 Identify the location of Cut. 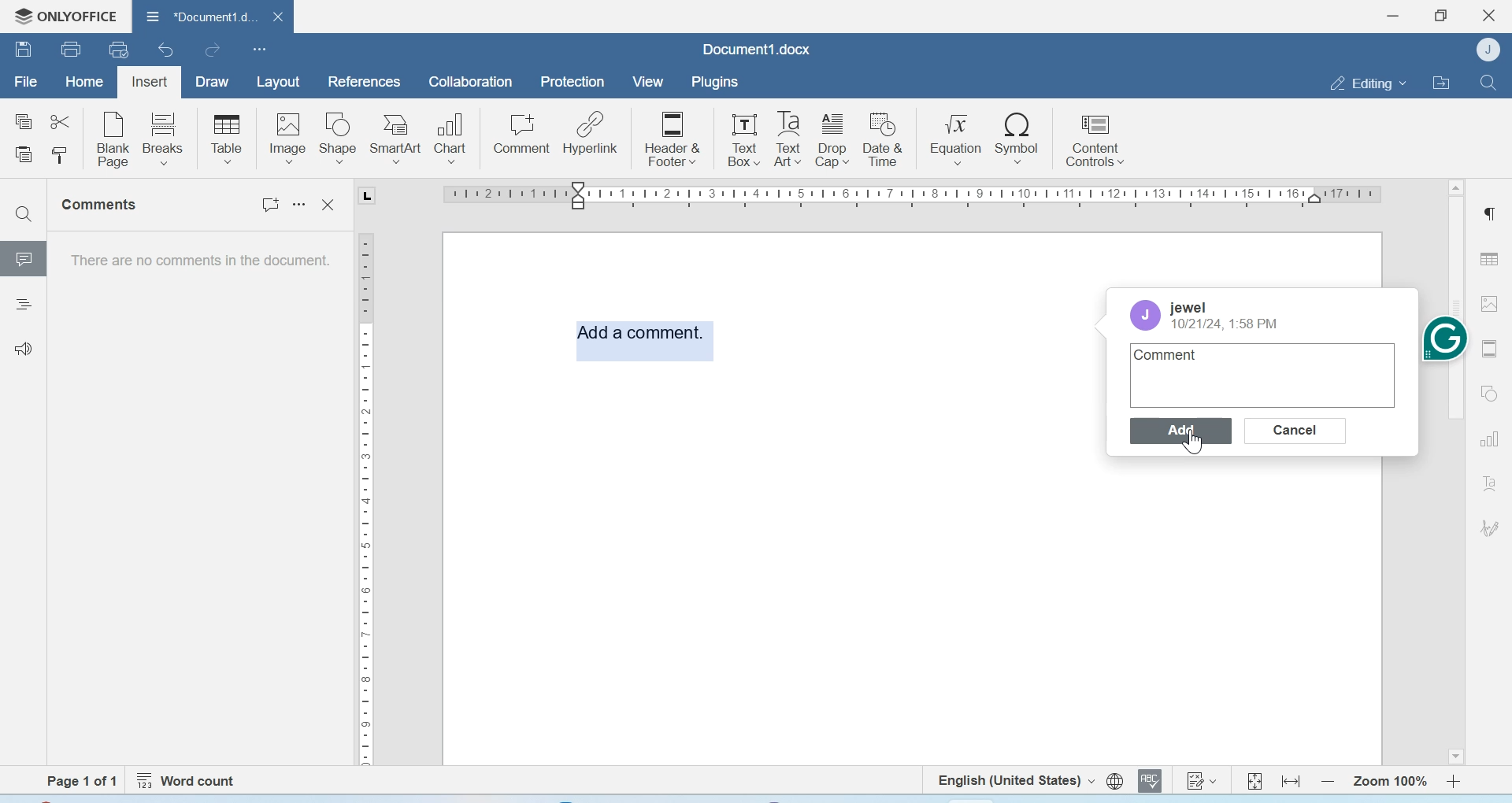
(59, 120).